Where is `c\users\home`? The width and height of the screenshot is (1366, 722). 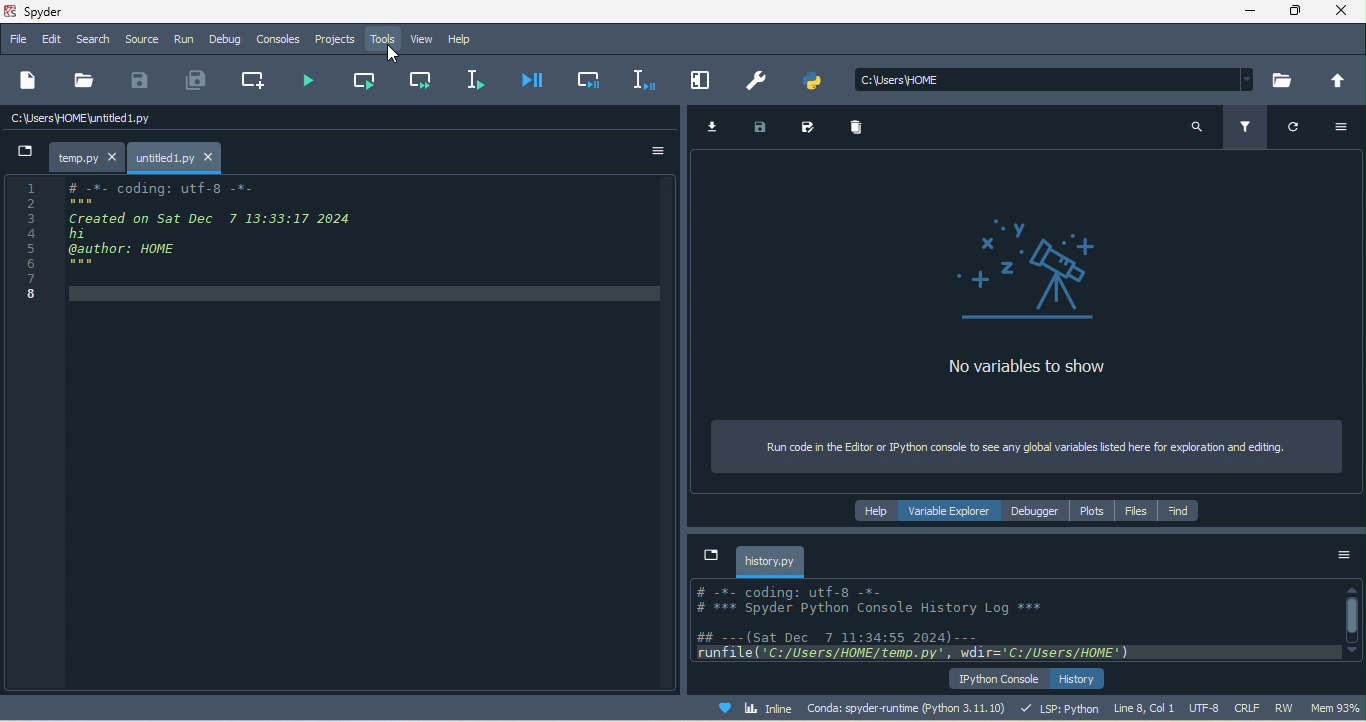
c\users\home is located at coordinates (1055, 80).